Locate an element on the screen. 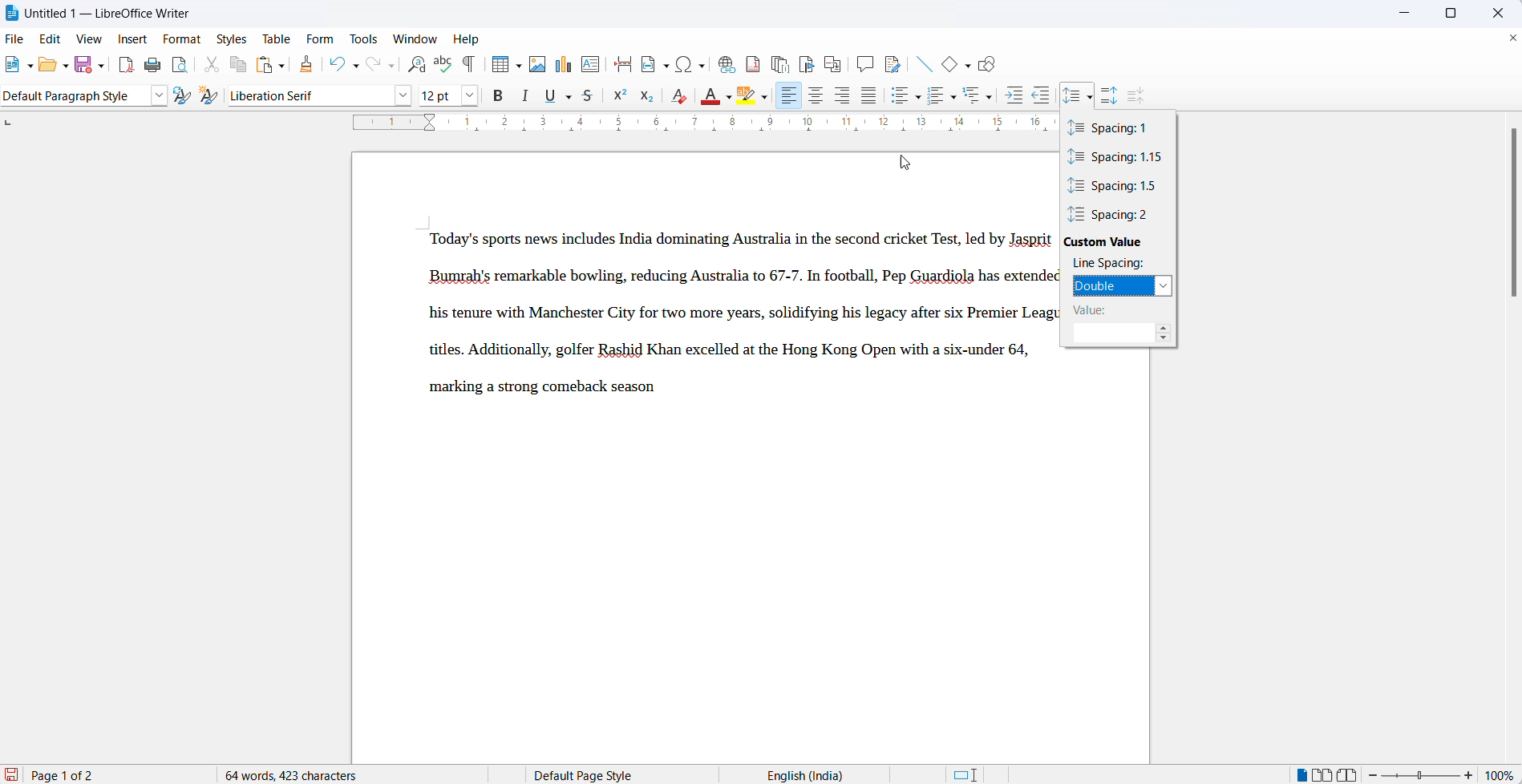  print is located at coordinates (154, 63).